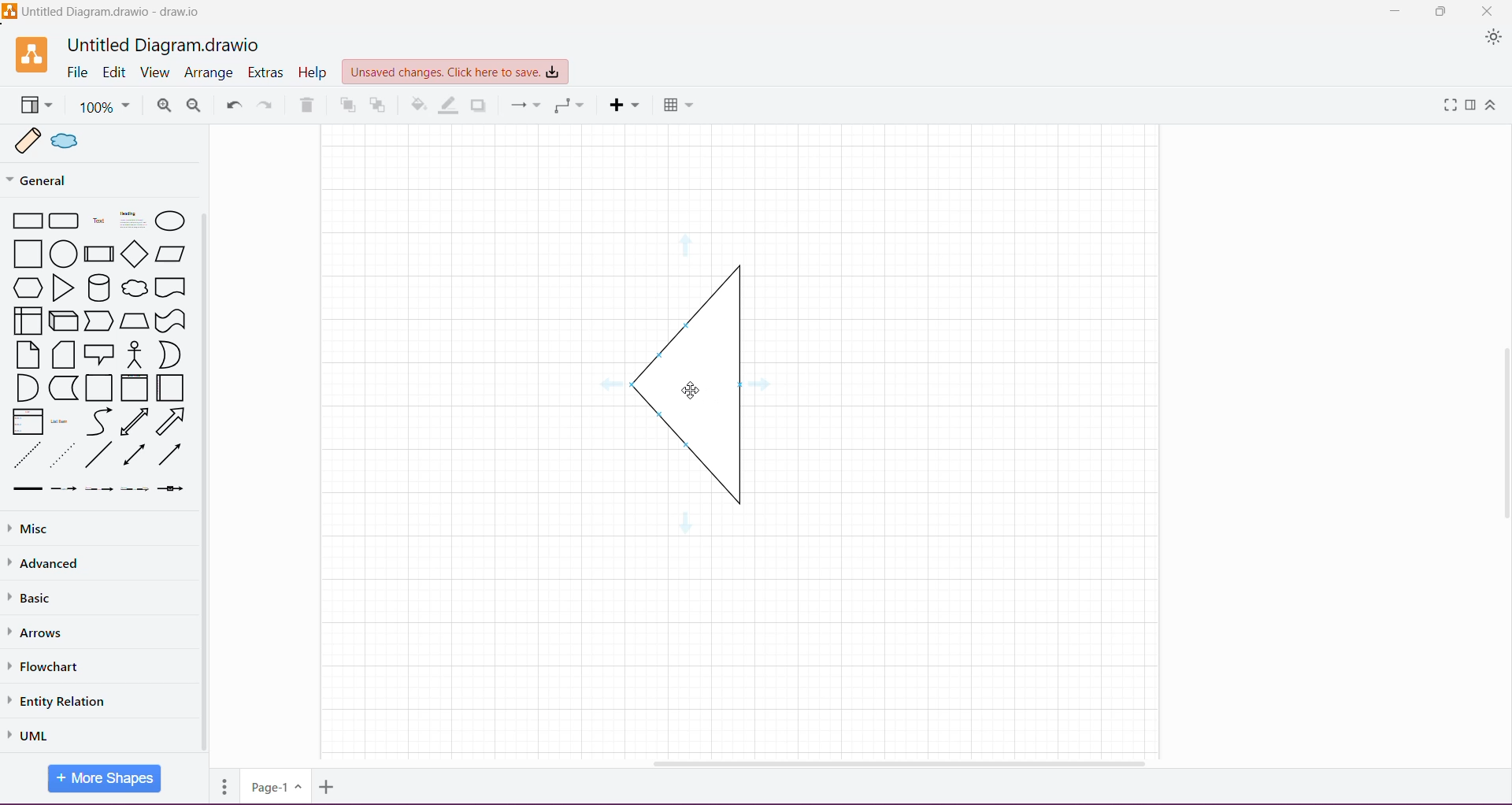 The height and width of the screenshot is (805, 1512). I want to click on UML, so click(31, 733).